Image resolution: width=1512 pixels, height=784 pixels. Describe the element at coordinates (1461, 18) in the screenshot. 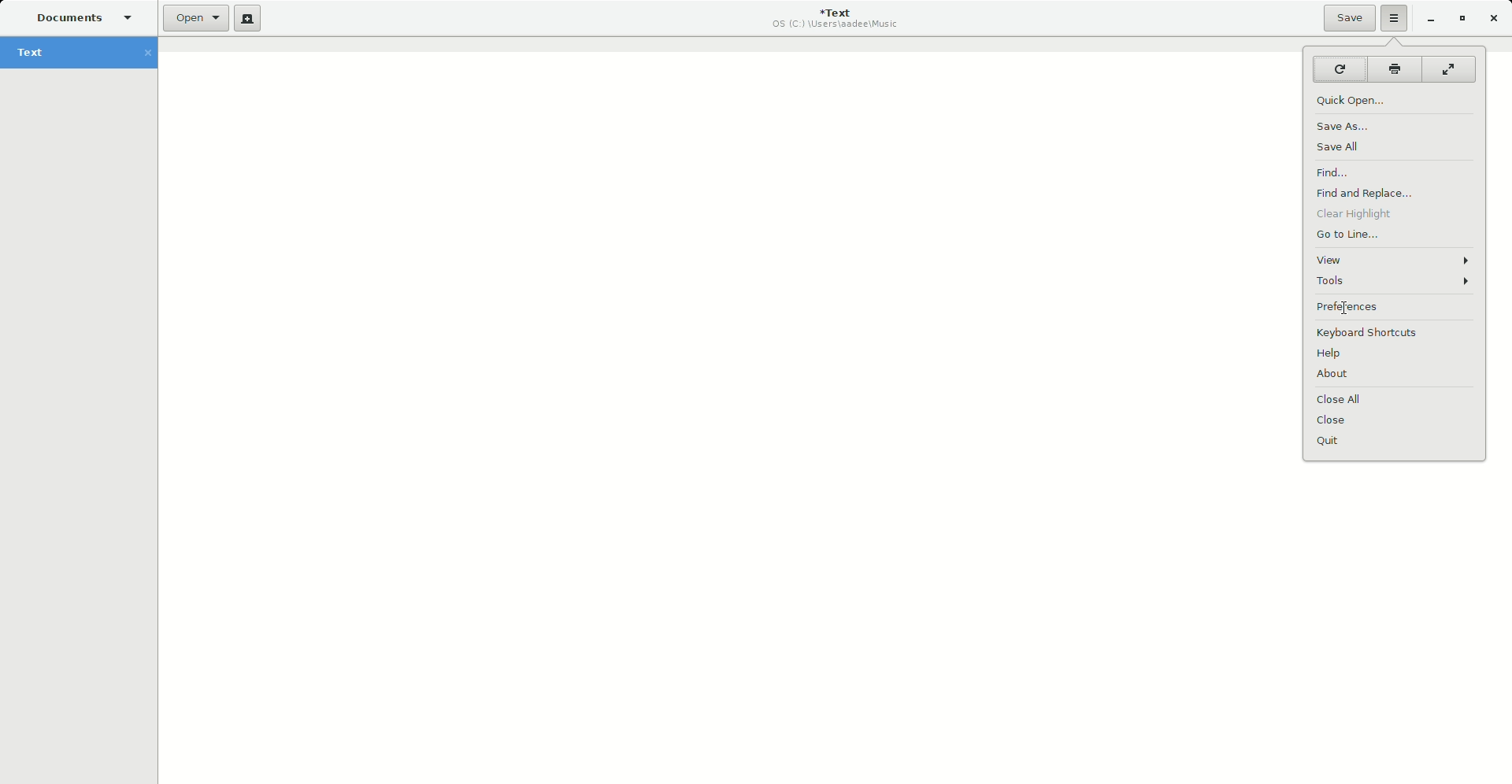

I see `Restore` at that location.